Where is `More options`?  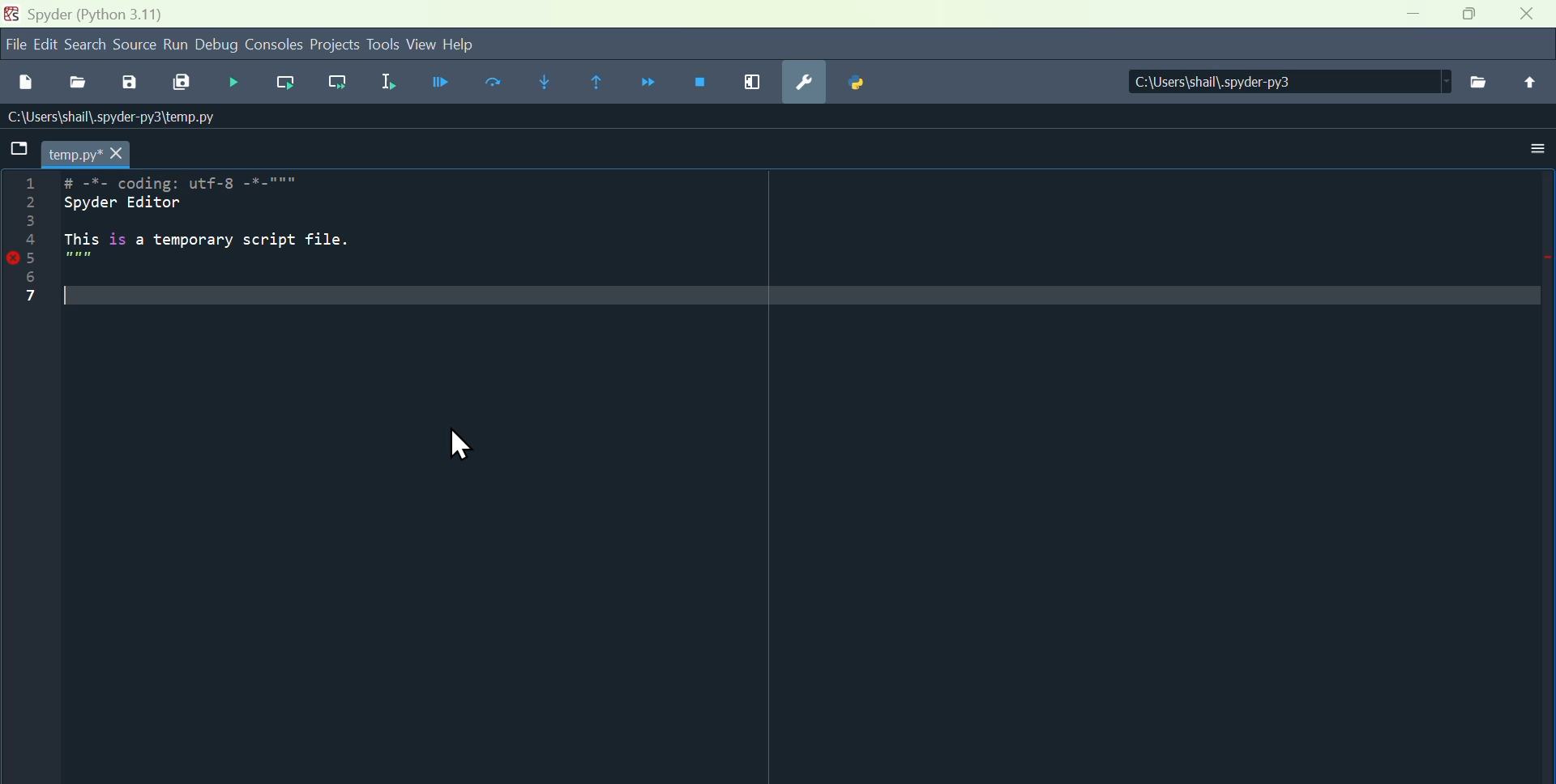 More options is located at coordinates (1528, 155).